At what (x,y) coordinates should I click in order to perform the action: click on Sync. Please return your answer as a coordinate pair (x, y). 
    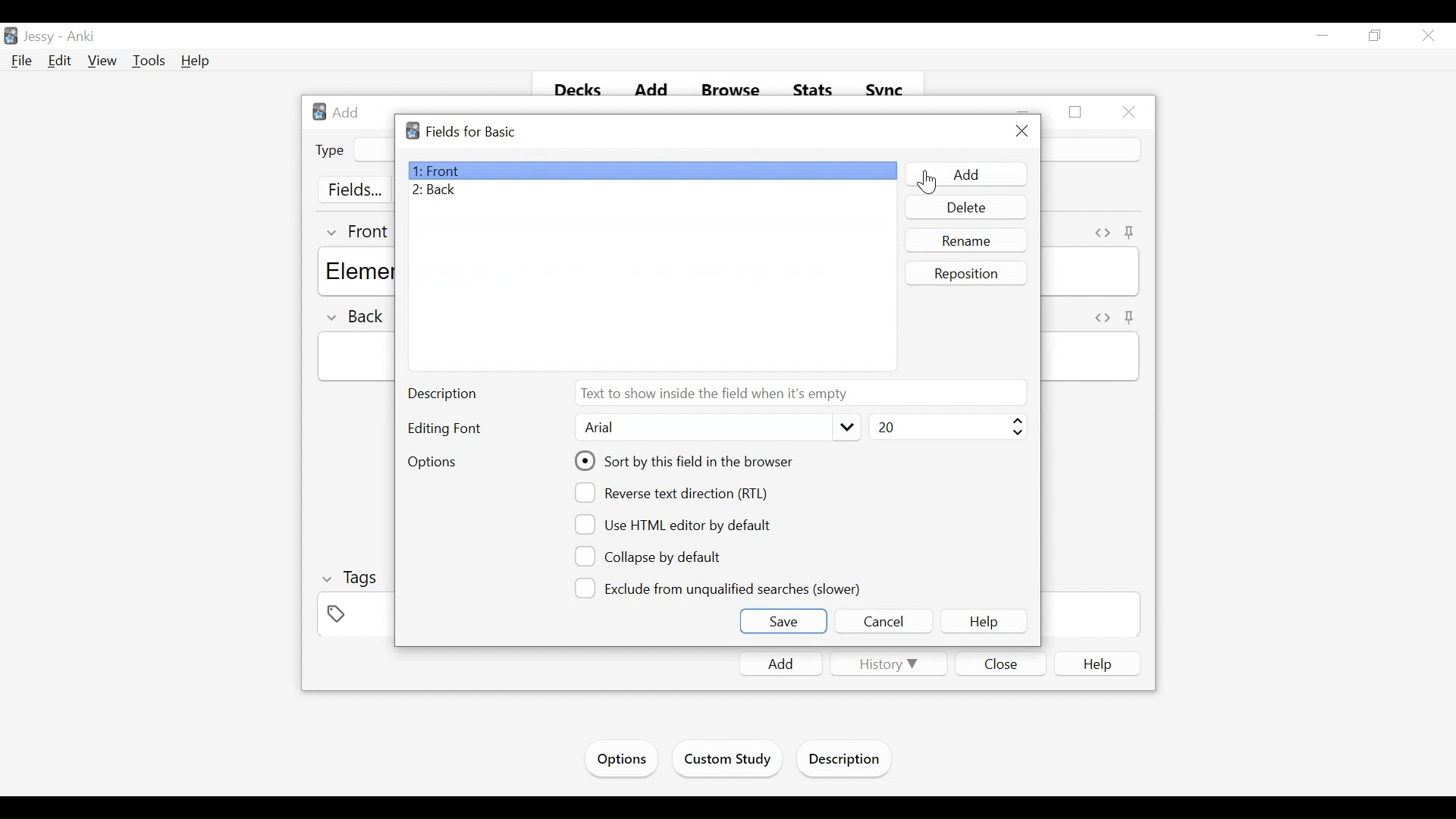
    Looking at the image, I should click on (885, 90).